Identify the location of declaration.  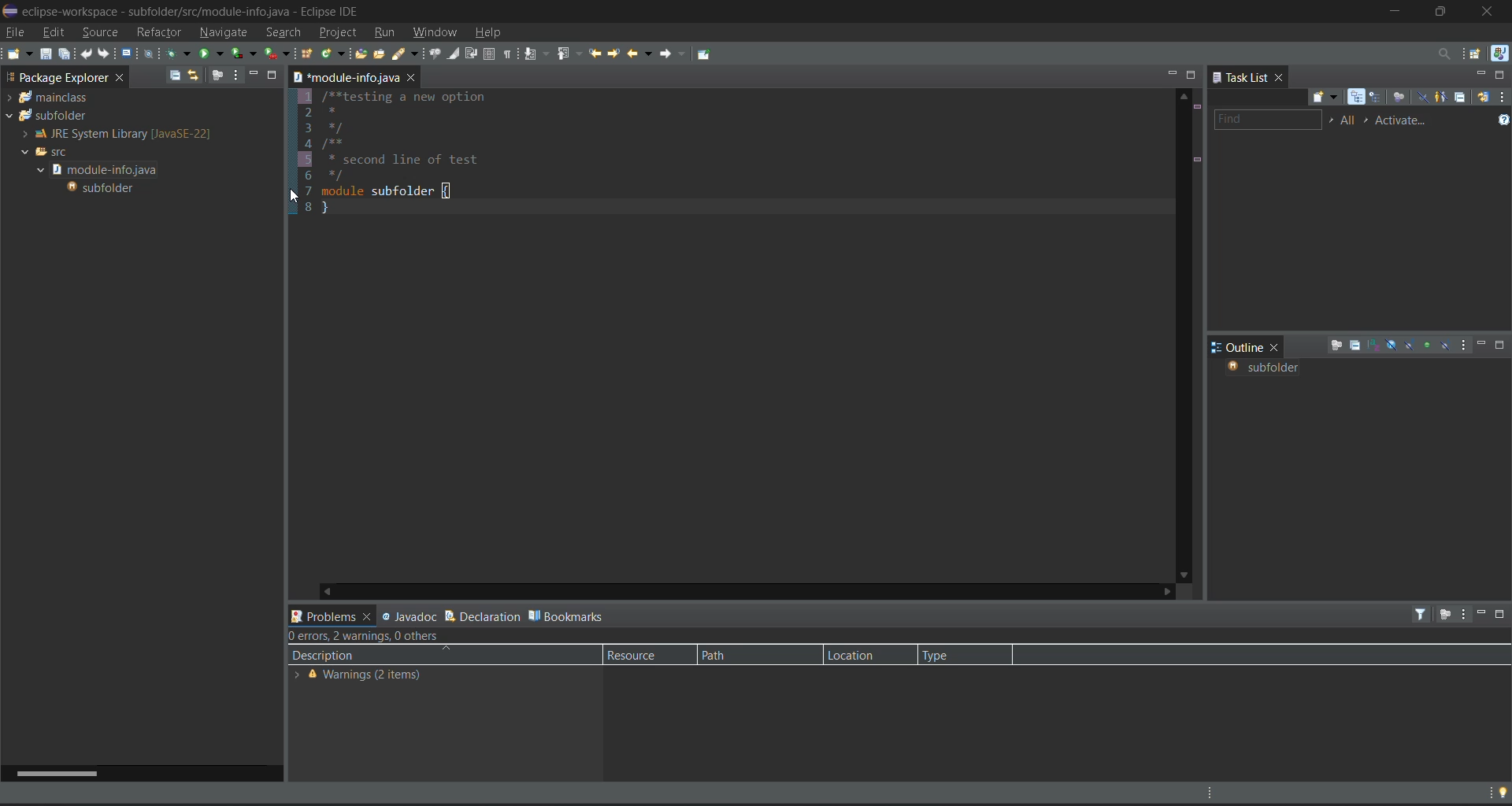
(482, 614).